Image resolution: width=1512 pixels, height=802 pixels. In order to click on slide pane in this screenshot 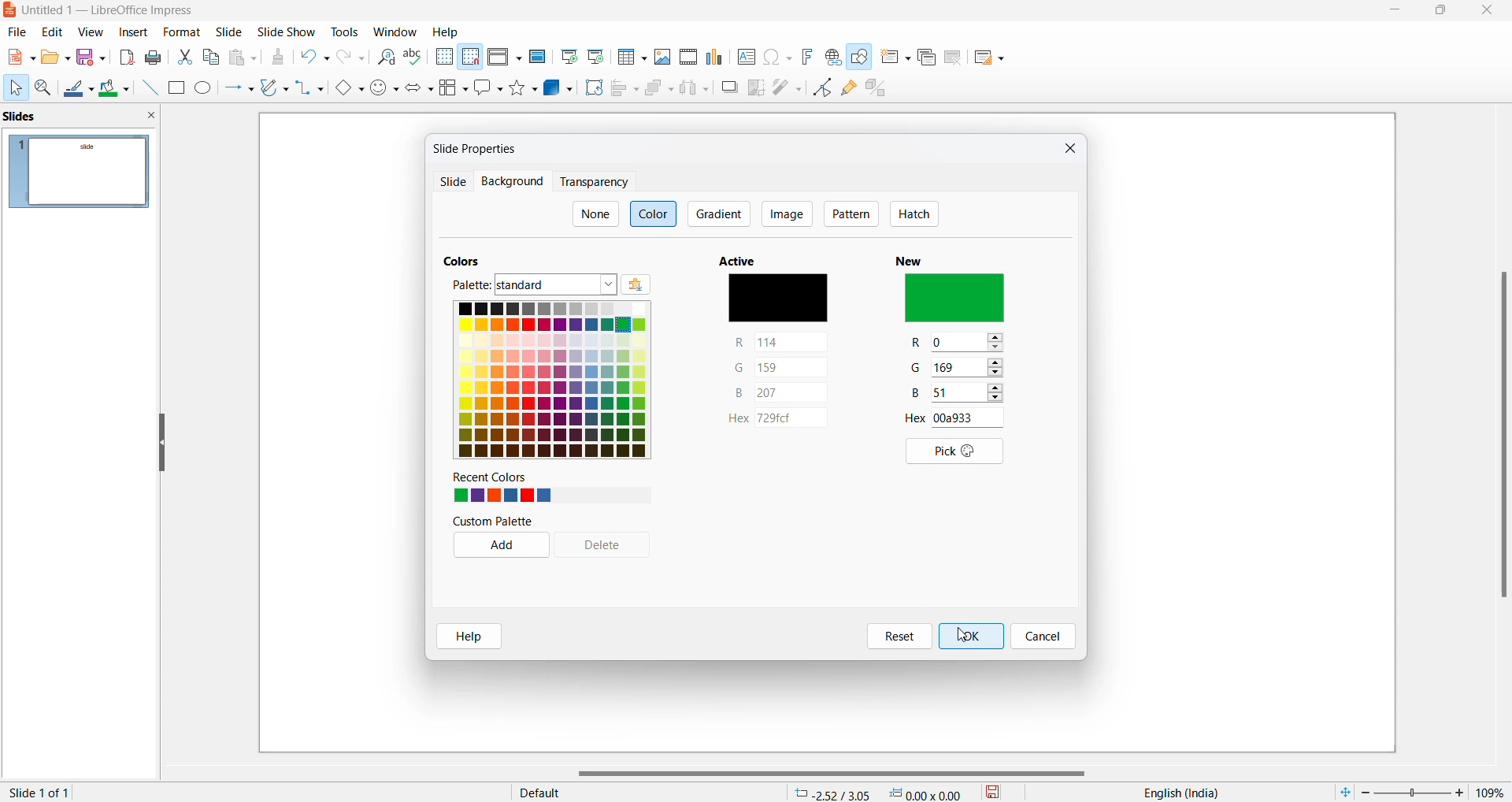, I will do `click(79, 118)`.